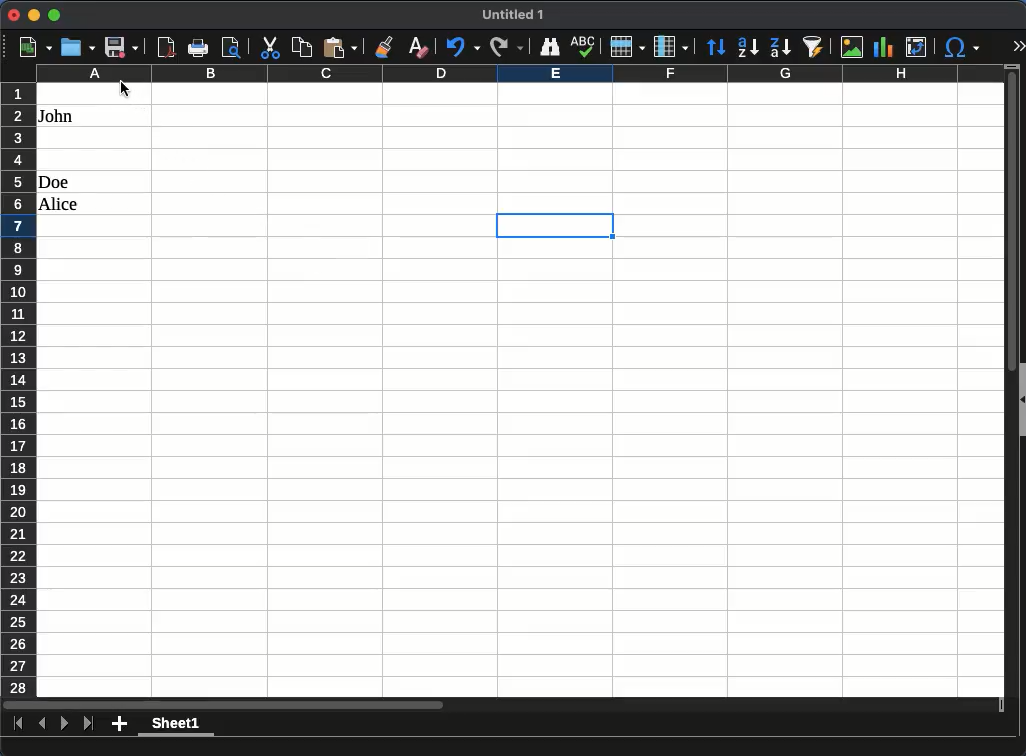 This screenshot has height=756, width=1026. I want to click on copy, so click(303, 48).